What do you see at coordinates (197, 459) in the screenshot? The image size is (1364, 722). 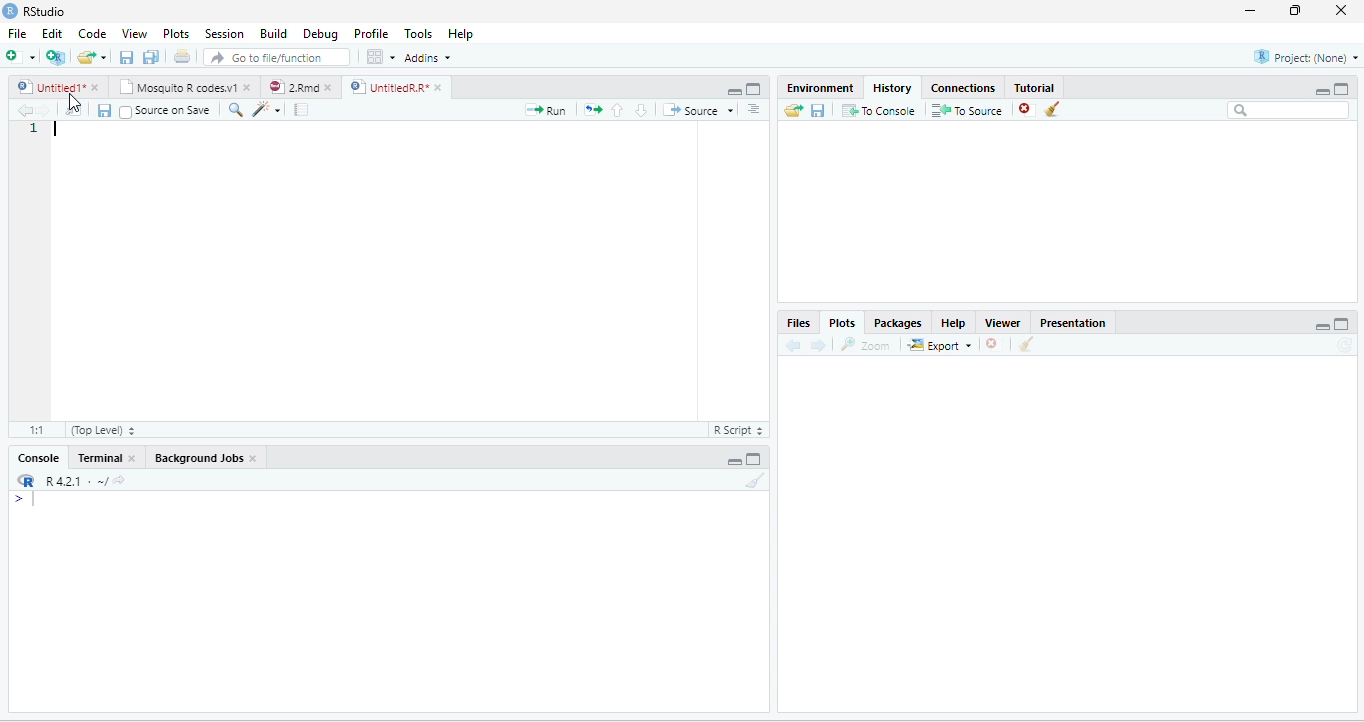 I see `Background Jobs` at bounding box center [197, 459].